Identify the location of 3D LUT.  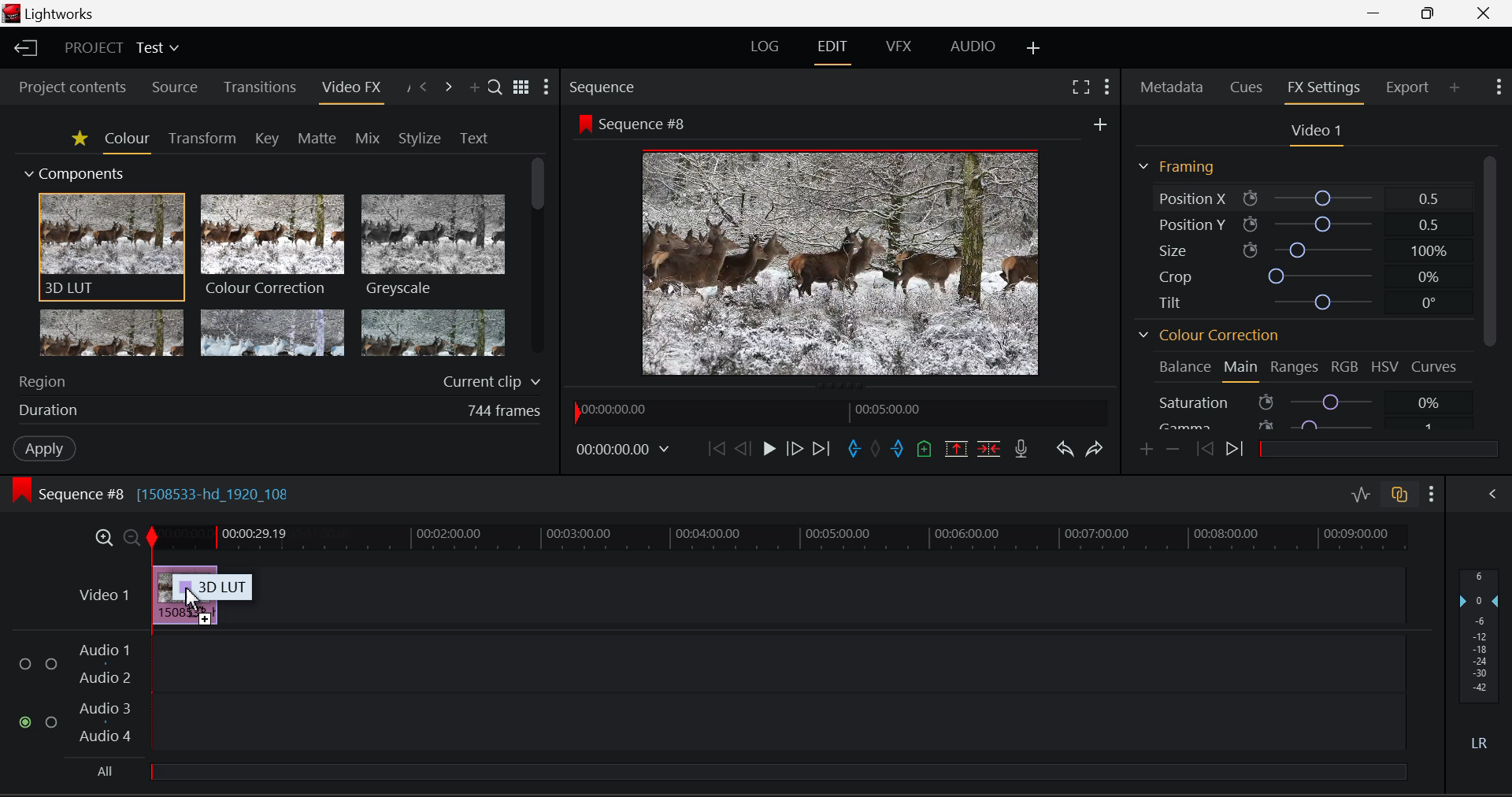
(109, 247).